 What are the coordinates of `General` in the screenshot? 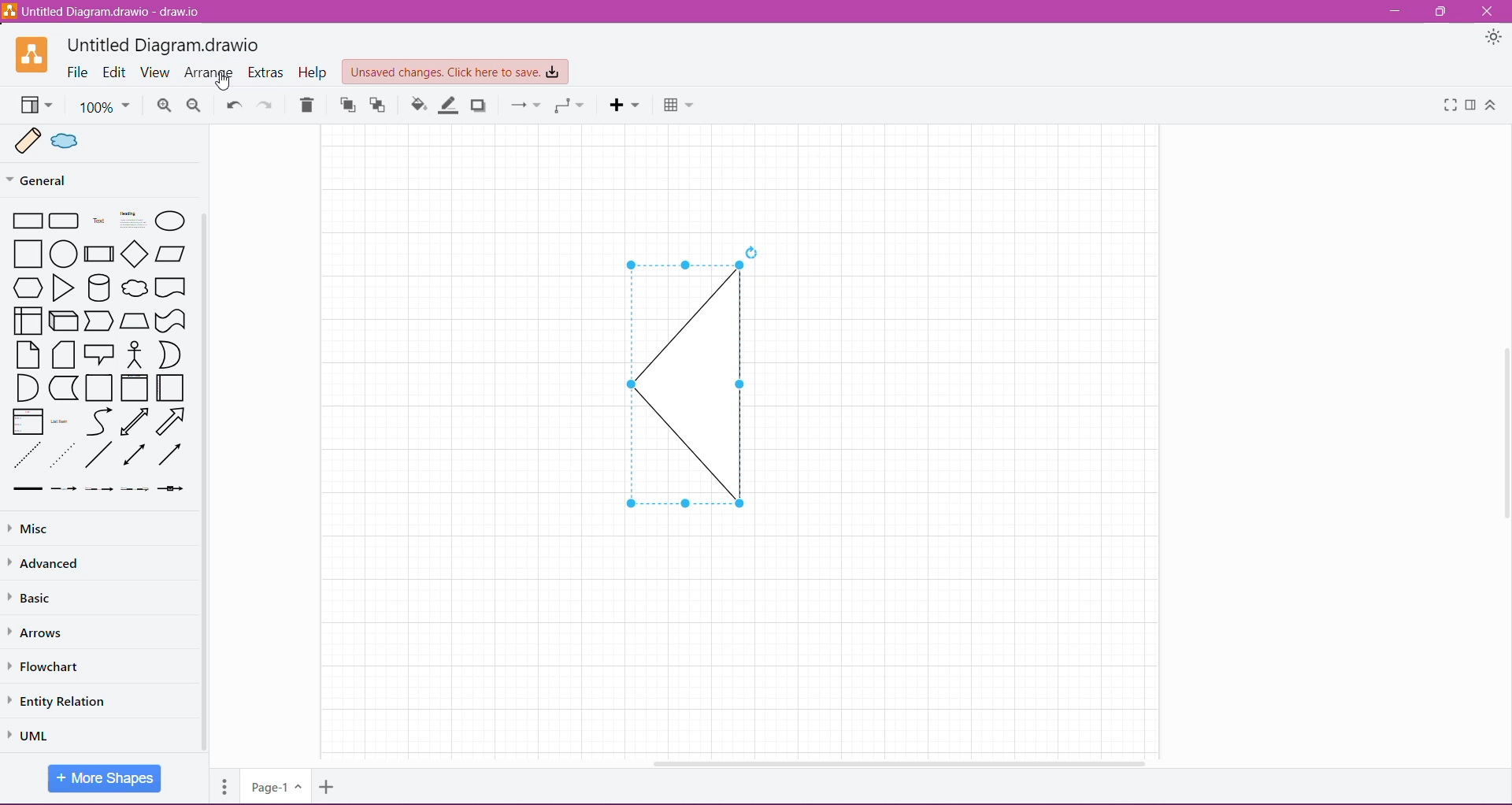 It's located at (69, 180).